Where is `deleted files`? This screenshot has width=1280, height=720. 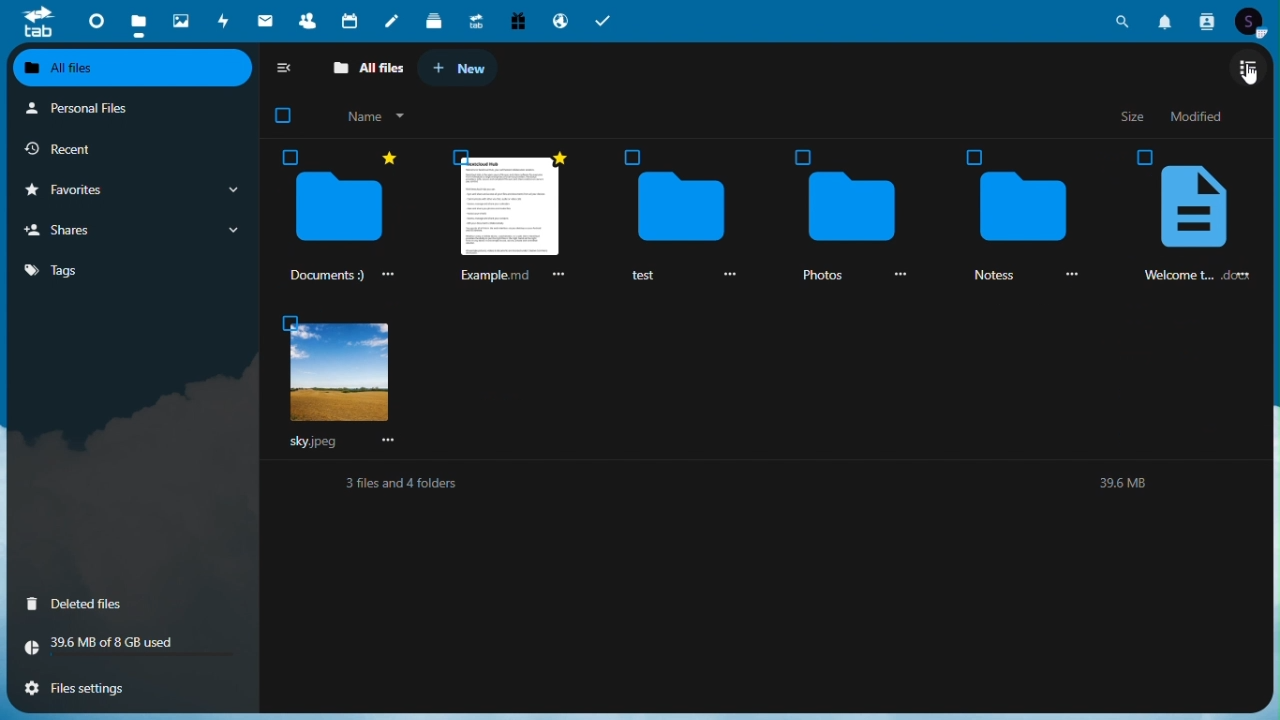 deleted files is located at coordinates (102, 606).